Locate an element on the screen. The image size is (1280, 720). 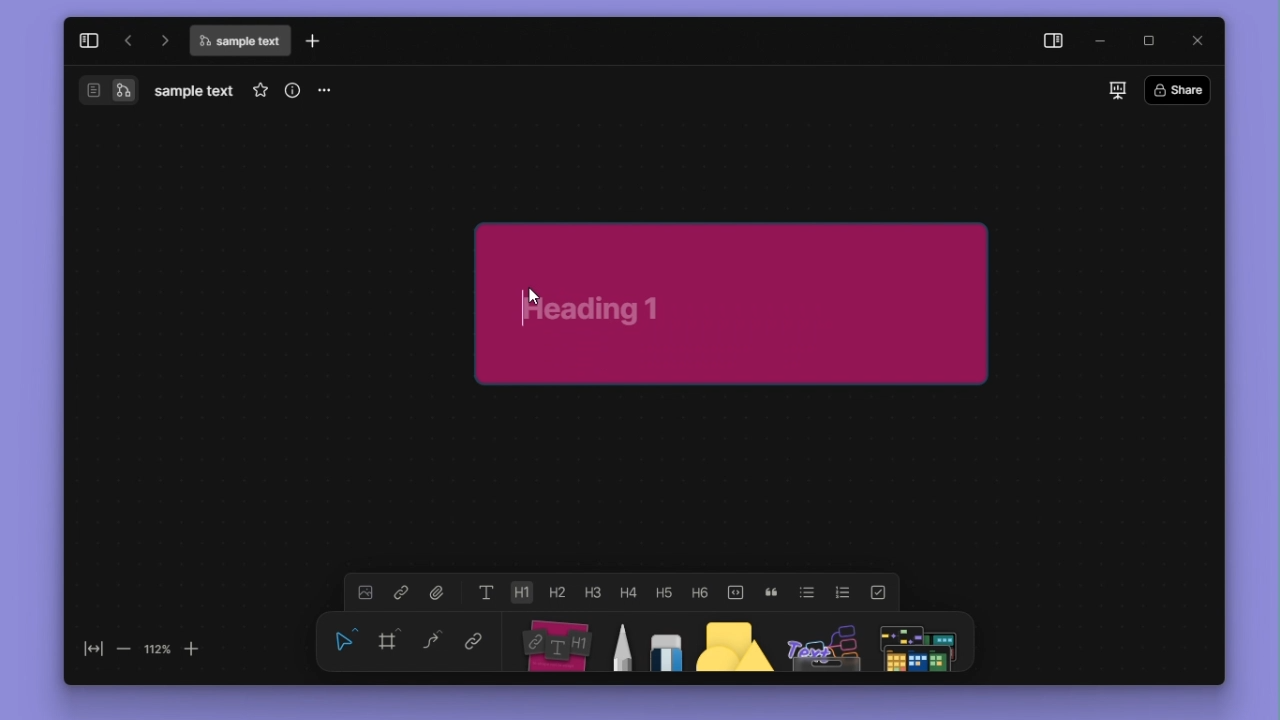
view info is located at coordinates (293, 90).